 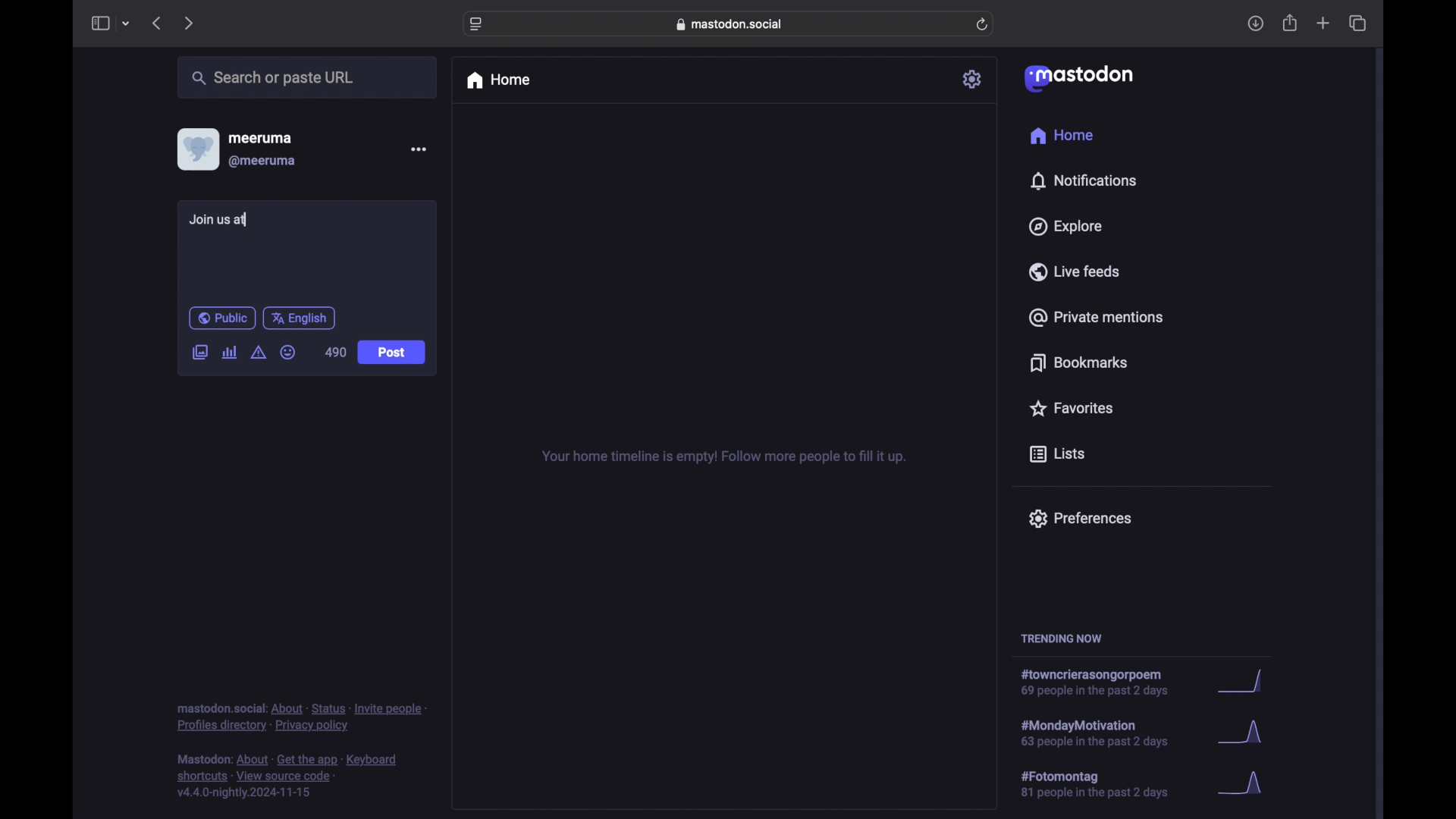 I want to click on public, so click(x=221, y=318).